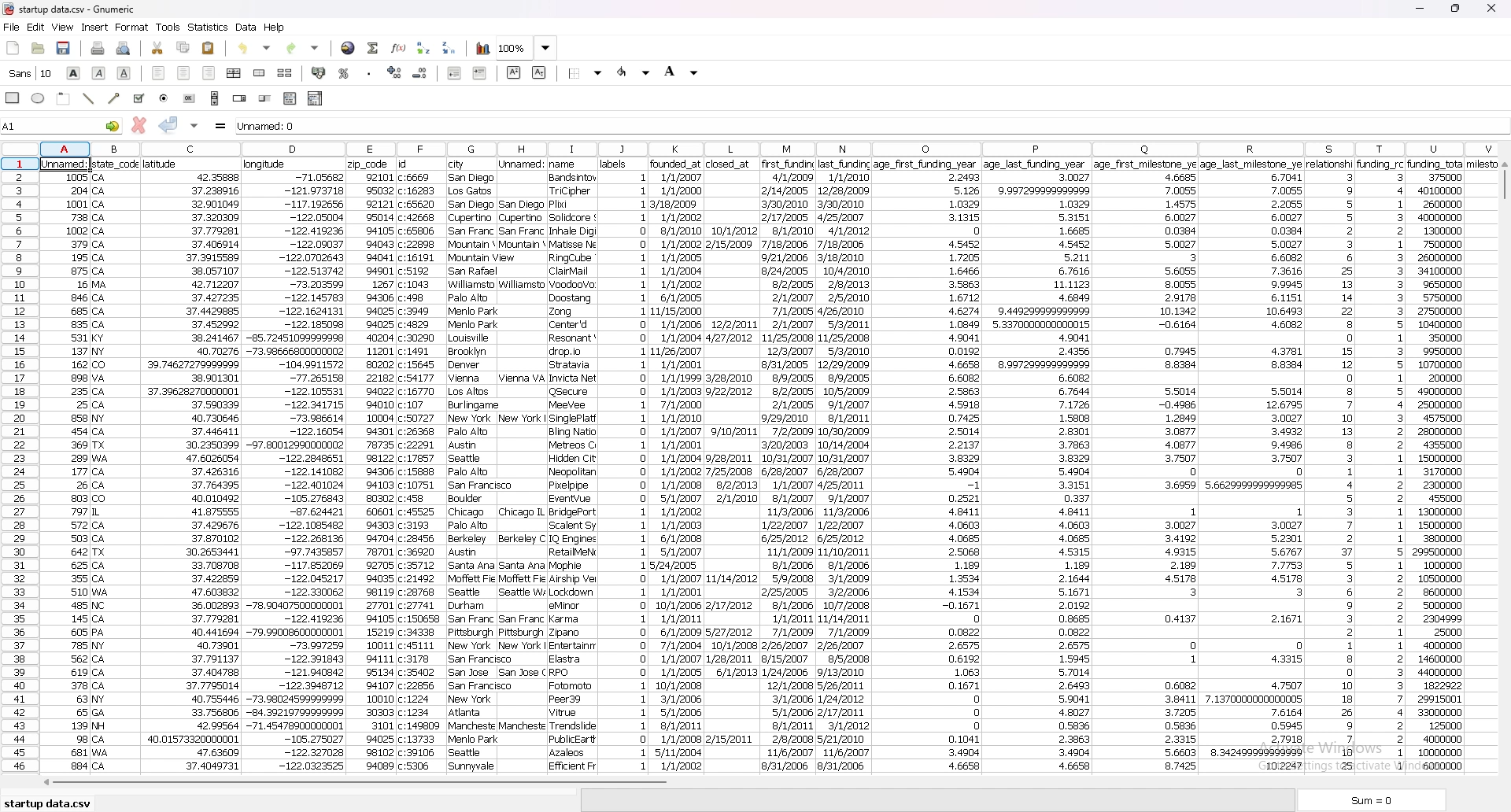  I want to click on centre horizontally, so click(235, 73).